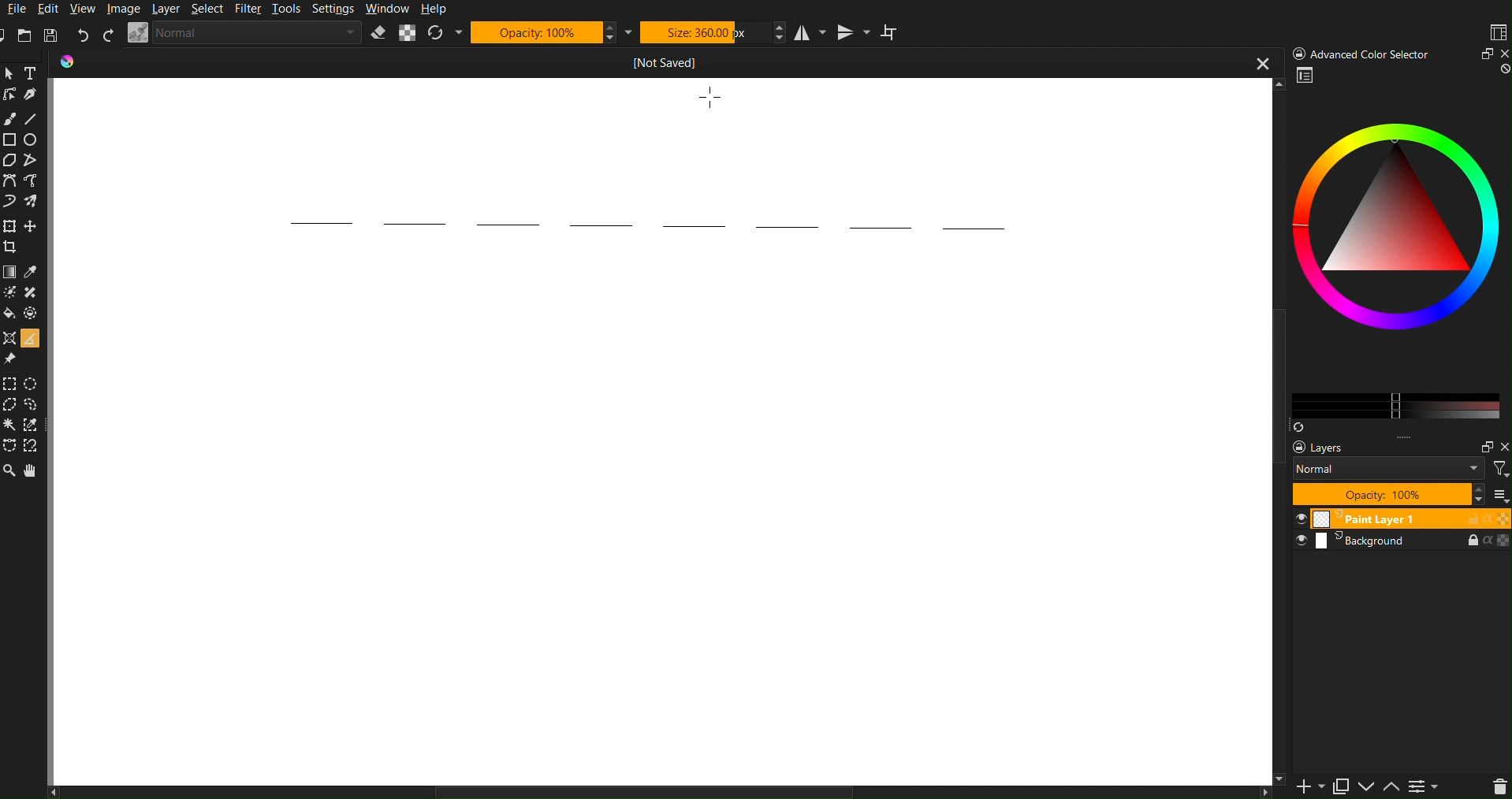  Describe the element at coordinates (34, 405) in the screenshot. I see `Free Shape Marquee Tool` at that location.